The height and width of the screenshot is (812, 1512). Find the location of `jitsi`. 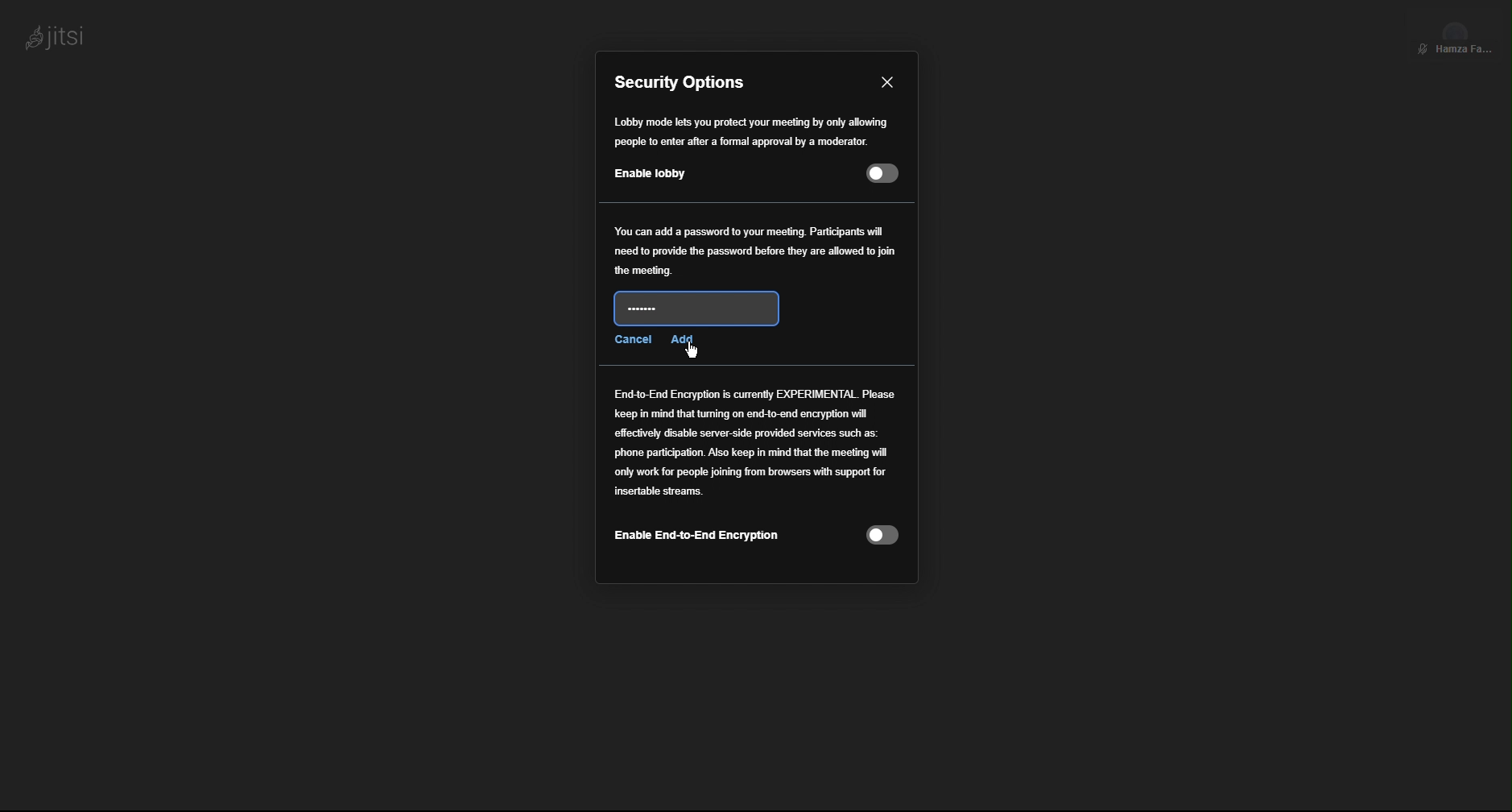

jitsi is located at coordinates (52, 34).